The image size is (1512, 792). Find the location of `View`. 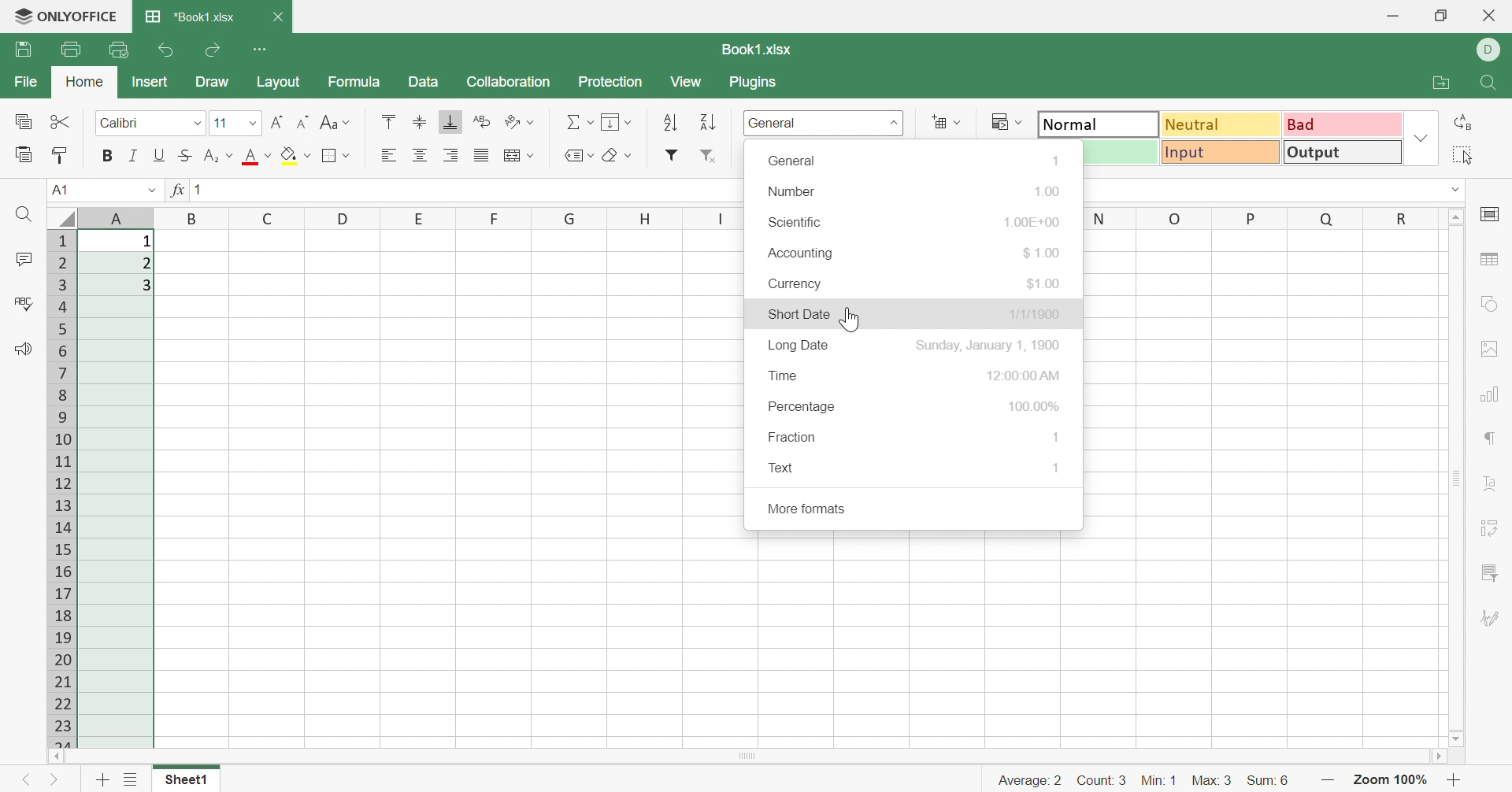

View is located at coordinates (686, 82).